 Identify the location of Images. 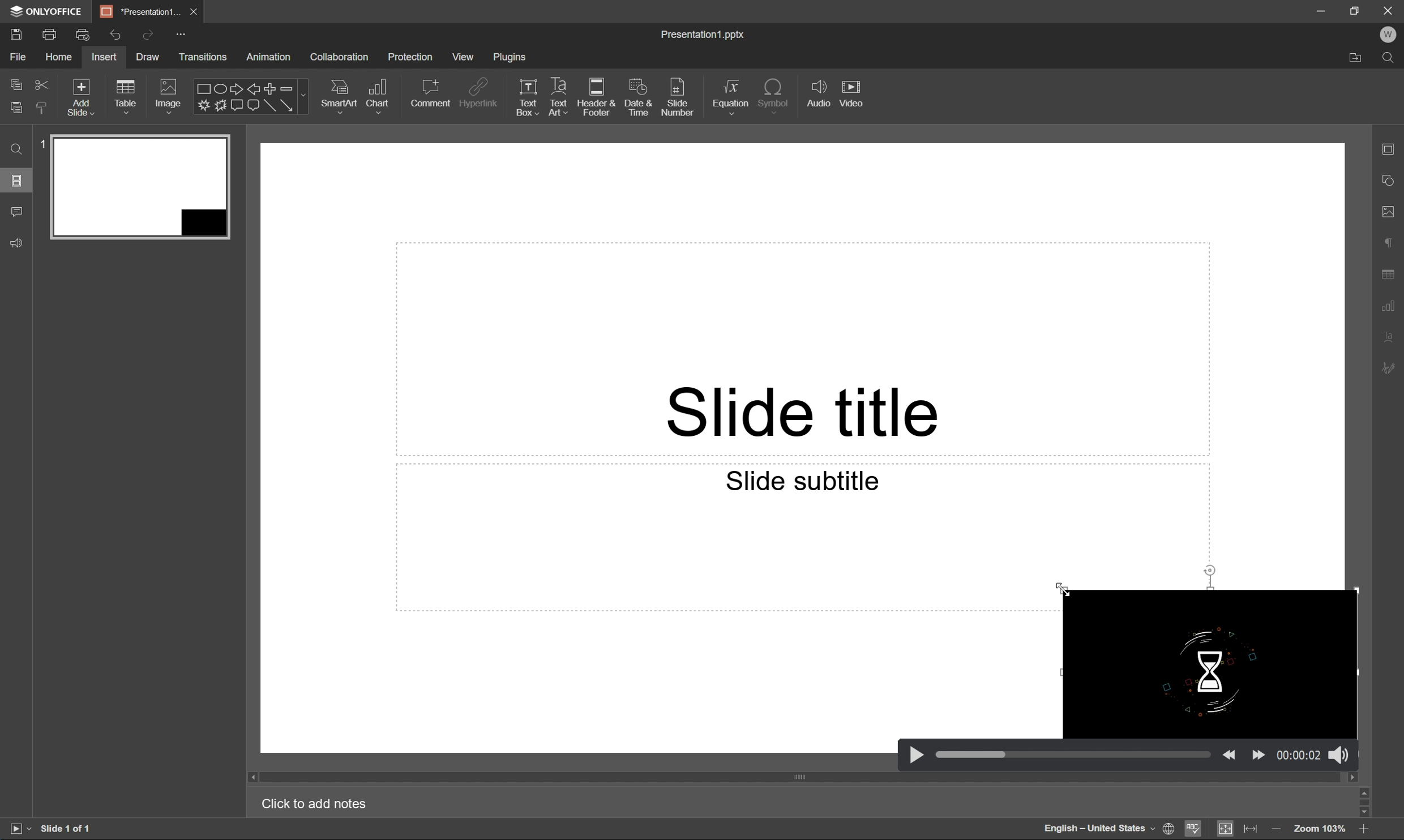
(167, 96).